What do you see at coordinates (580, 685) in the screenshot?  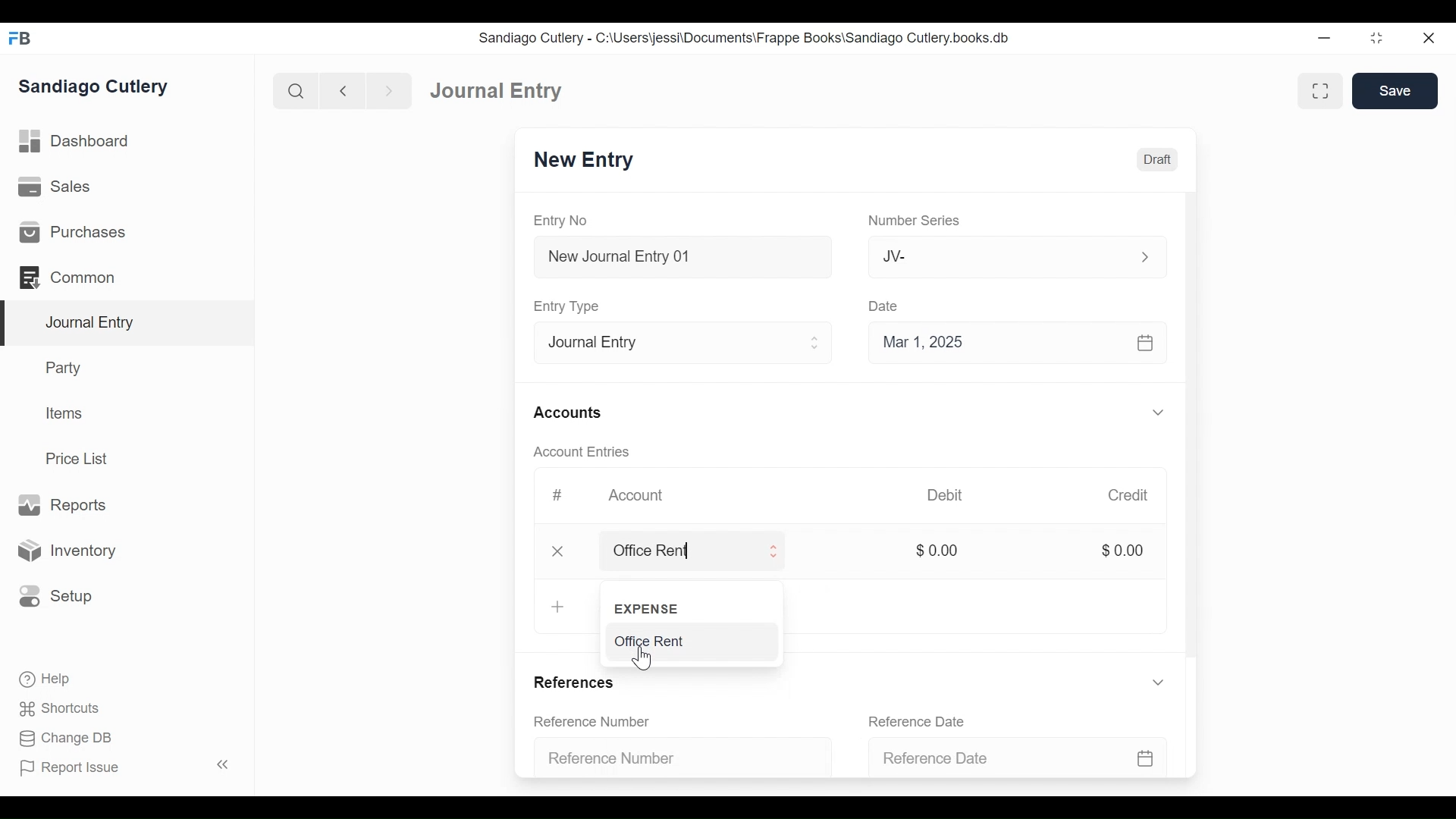 I see `References` at bounding box center [580, 685].